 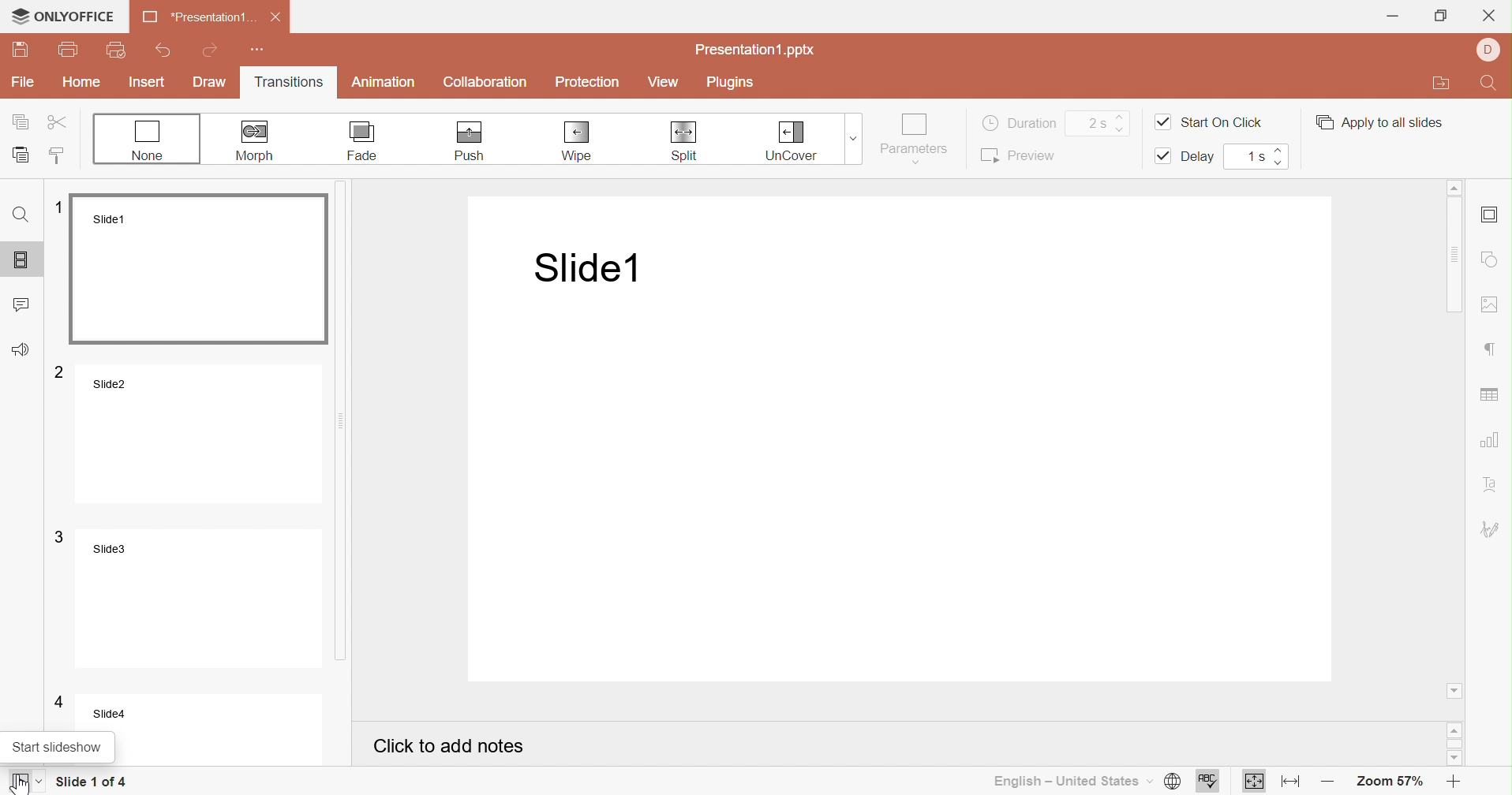 What do you see at coordinates (219, 731) in the screenshot?
I see `Slide4` at bounding box center [219, 731].